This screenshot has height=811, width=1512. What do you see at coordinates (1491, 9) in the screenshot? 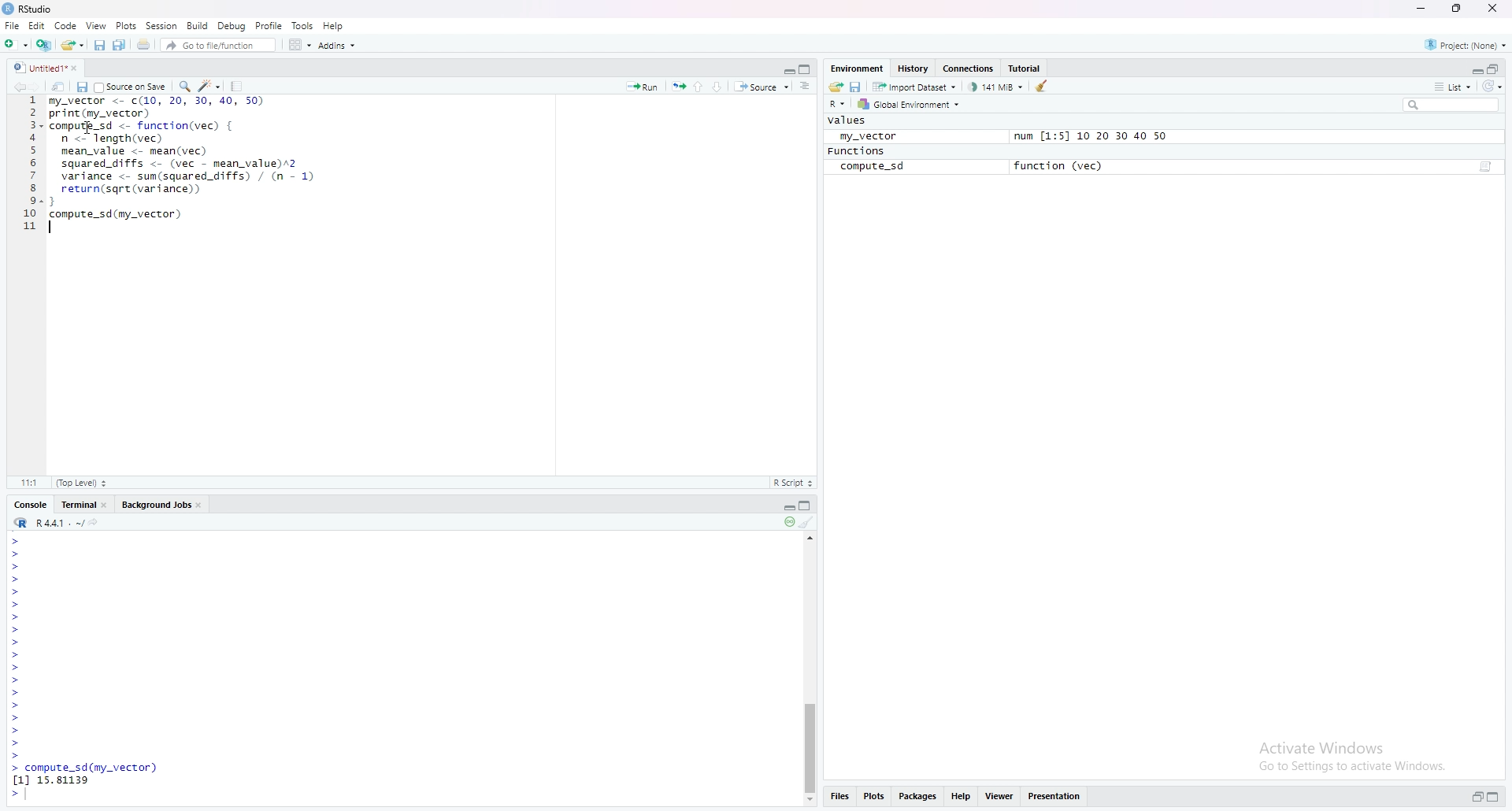
I see `Close` at bounding box center [1491, 9].